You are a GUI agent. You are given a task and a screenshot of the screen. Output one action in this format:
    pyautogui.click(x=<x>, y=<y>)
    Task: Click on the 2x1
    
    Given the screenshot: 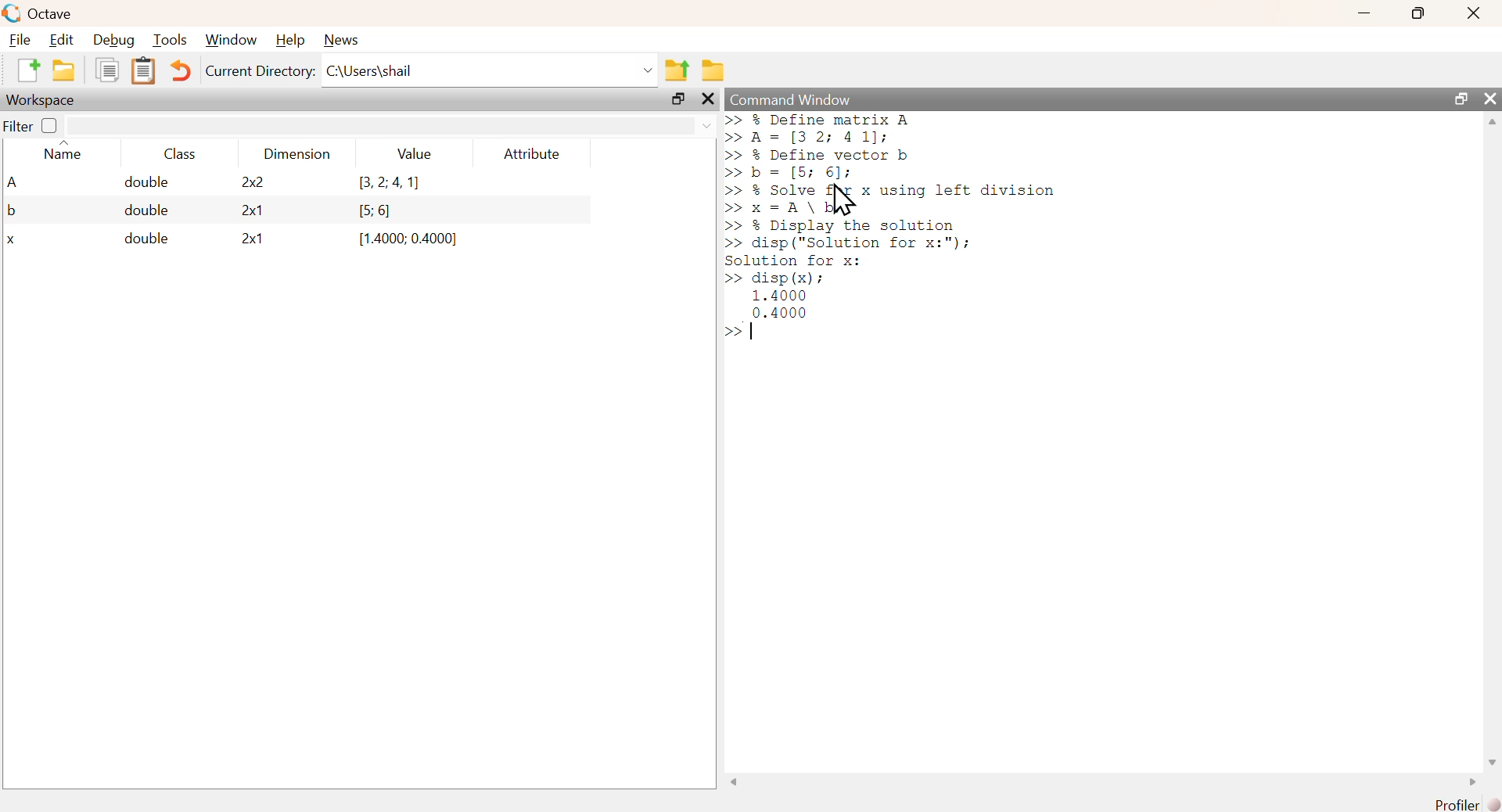 What is the action you would take?
    pyautogui.click(x=246, y=241)
    